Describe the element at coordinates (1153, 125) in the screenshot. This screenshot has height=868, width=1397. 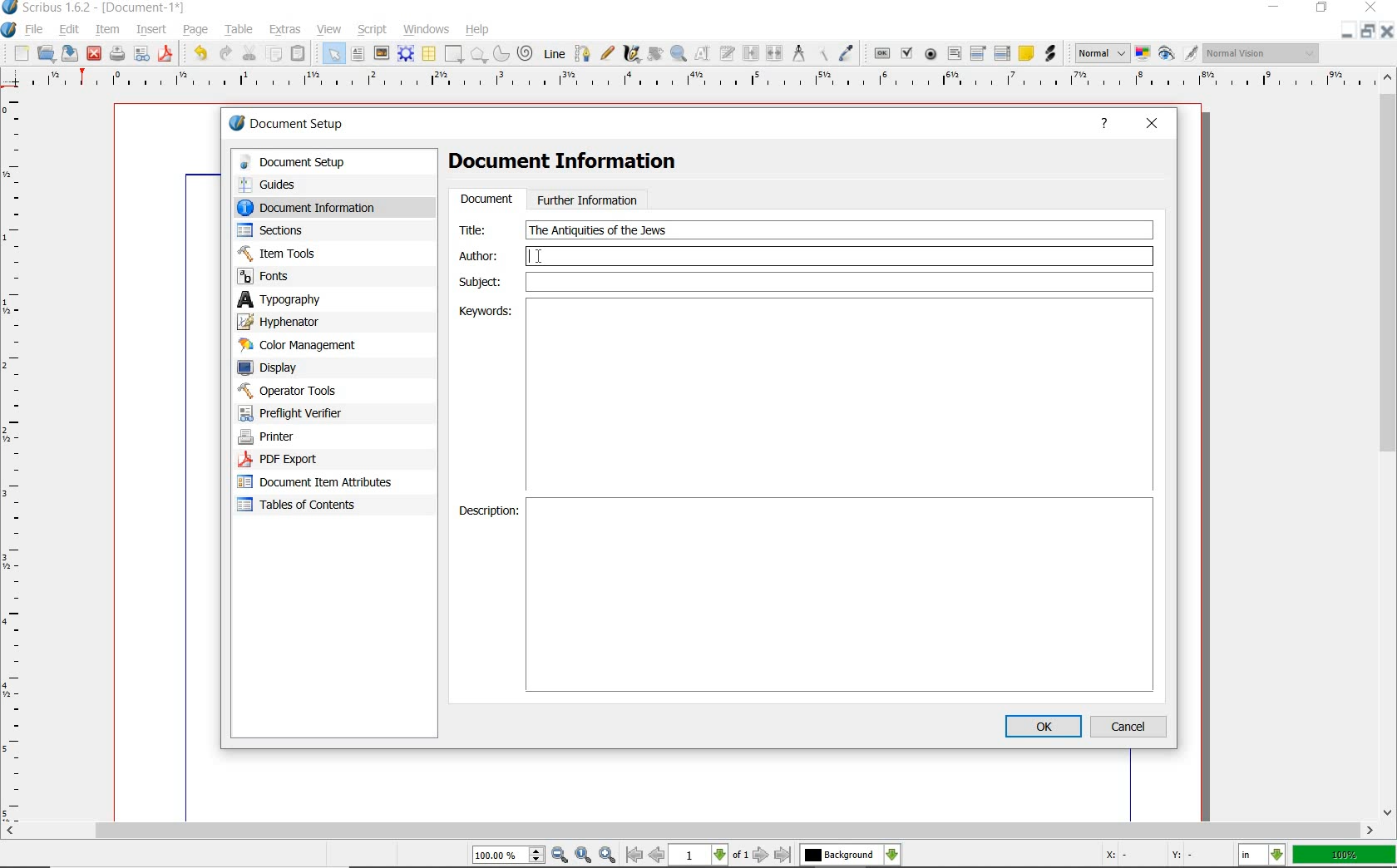
I see `close` at that location.